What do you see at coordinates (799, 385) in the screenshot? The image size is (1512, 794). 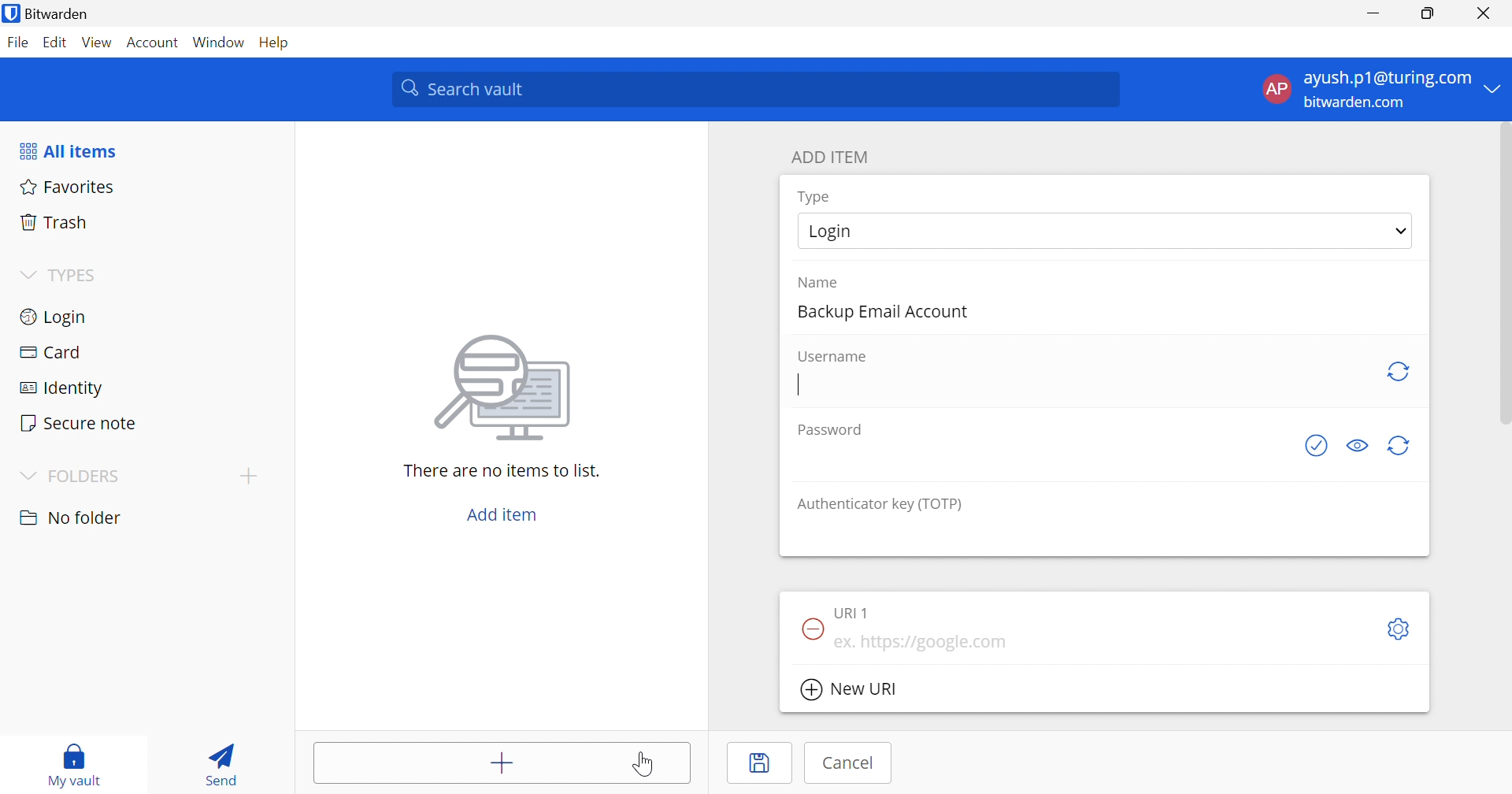 I see `Typing cursor` at bounding box center [799, 385].